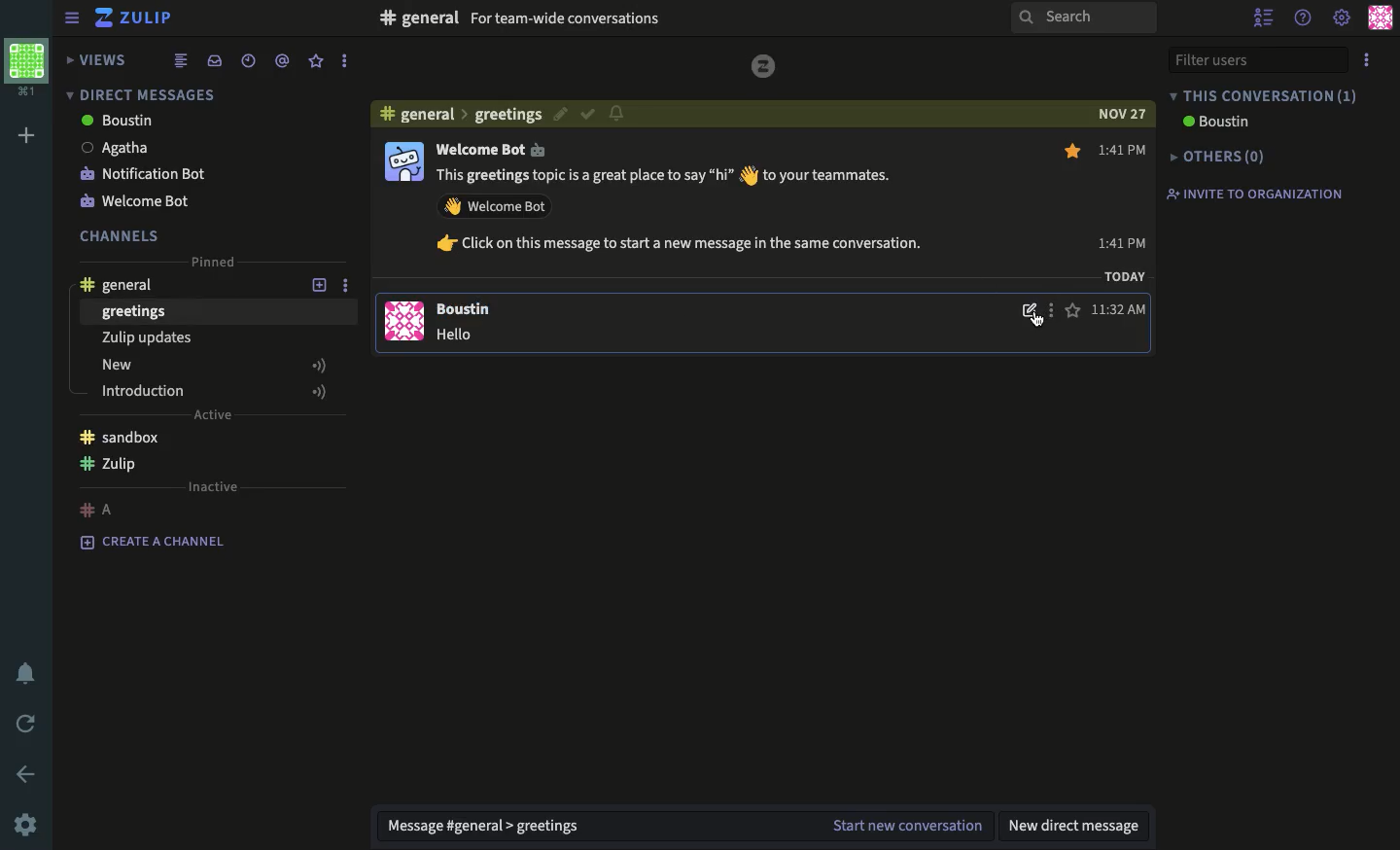 The height and width of the screenshot is (850, 1400). I want to click on boustin, so click(1218, 123).